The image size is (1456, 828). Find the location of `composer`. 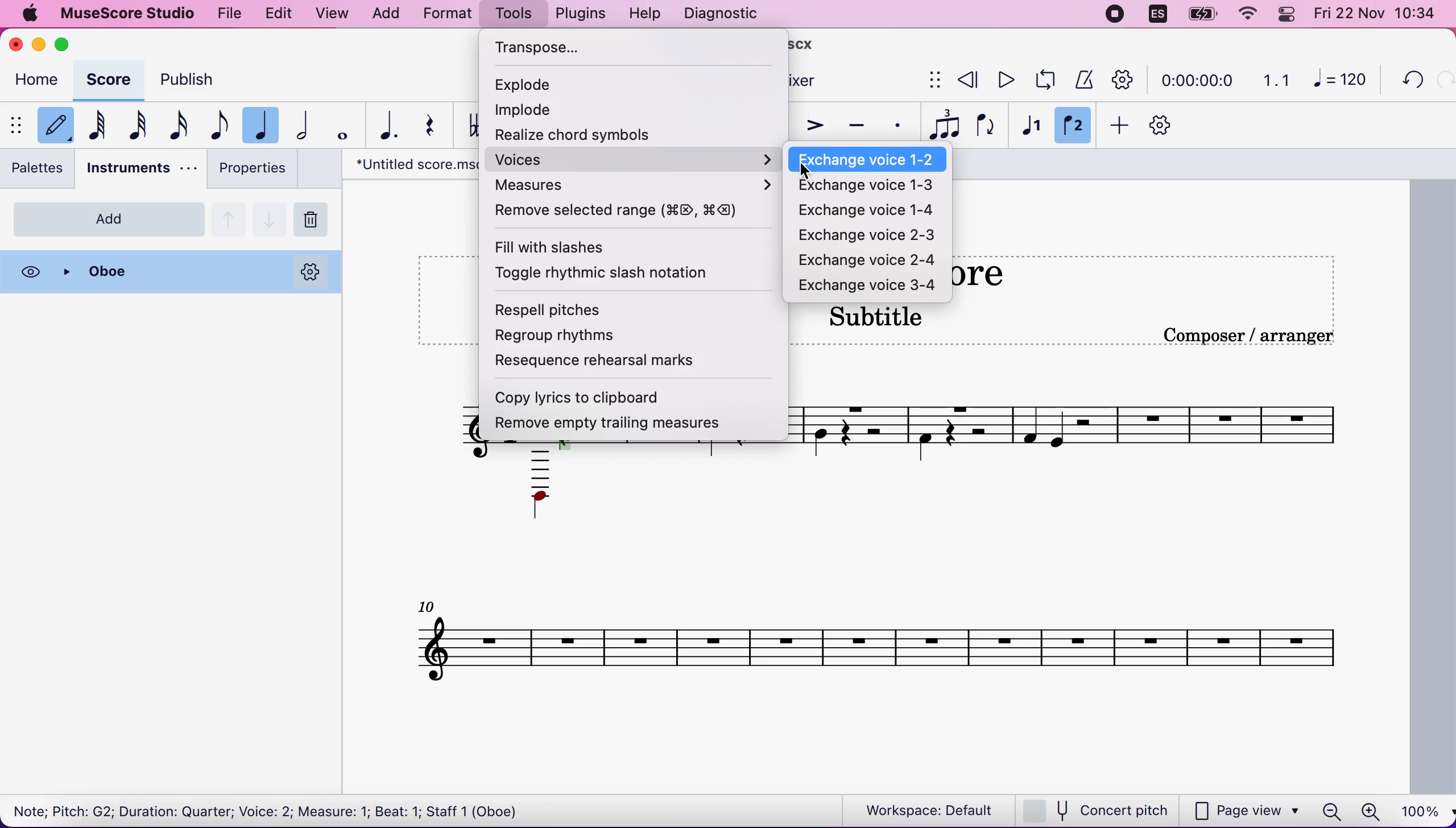

composer is located at coordinates (1058, 422).